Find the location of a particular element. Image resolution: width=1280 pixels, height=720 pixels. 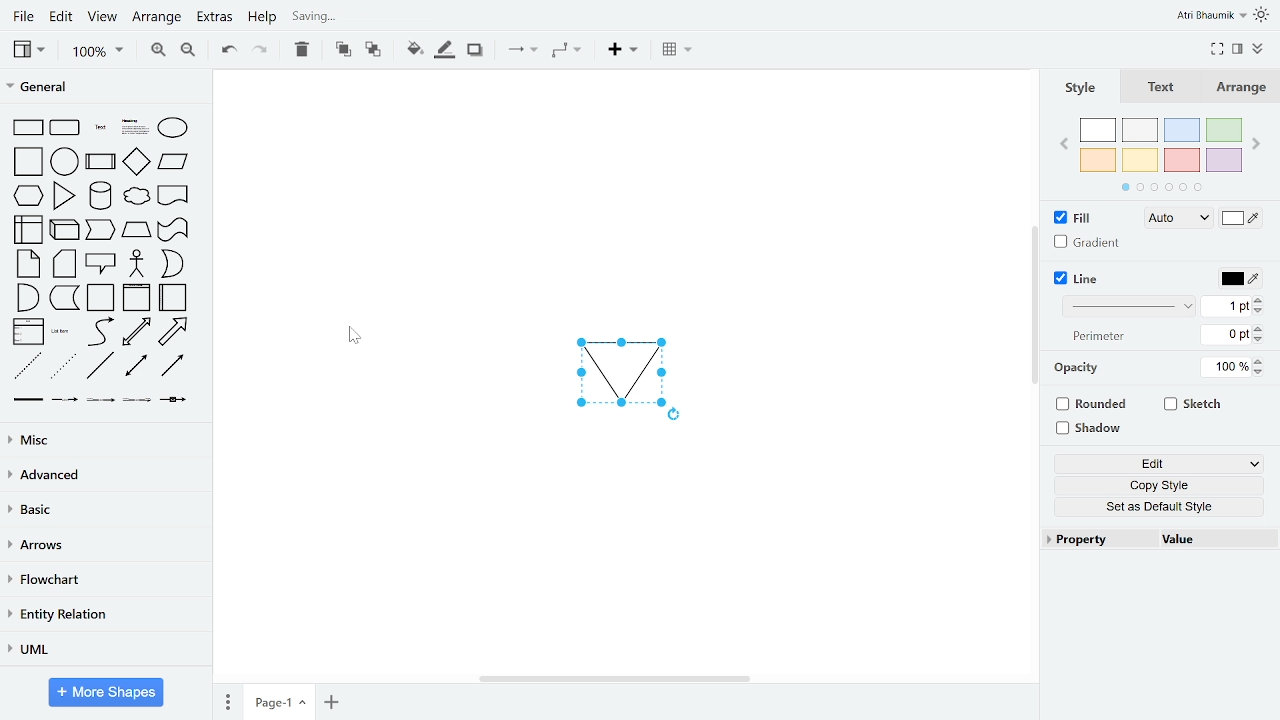

current page is located at coordinates (279, 700).